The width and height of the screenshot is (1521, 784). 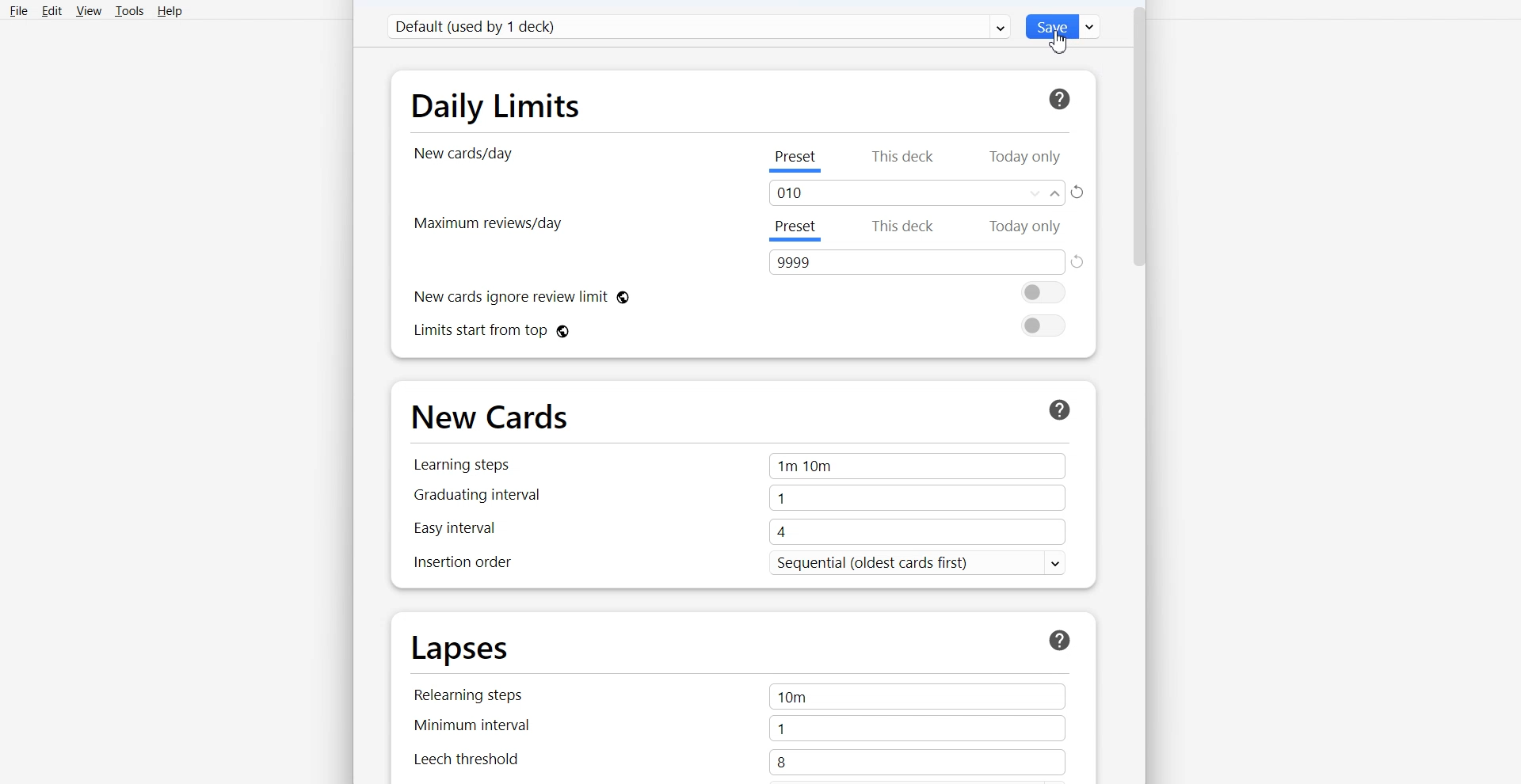 I want to click on Today only, so click(x=1025, y=158).